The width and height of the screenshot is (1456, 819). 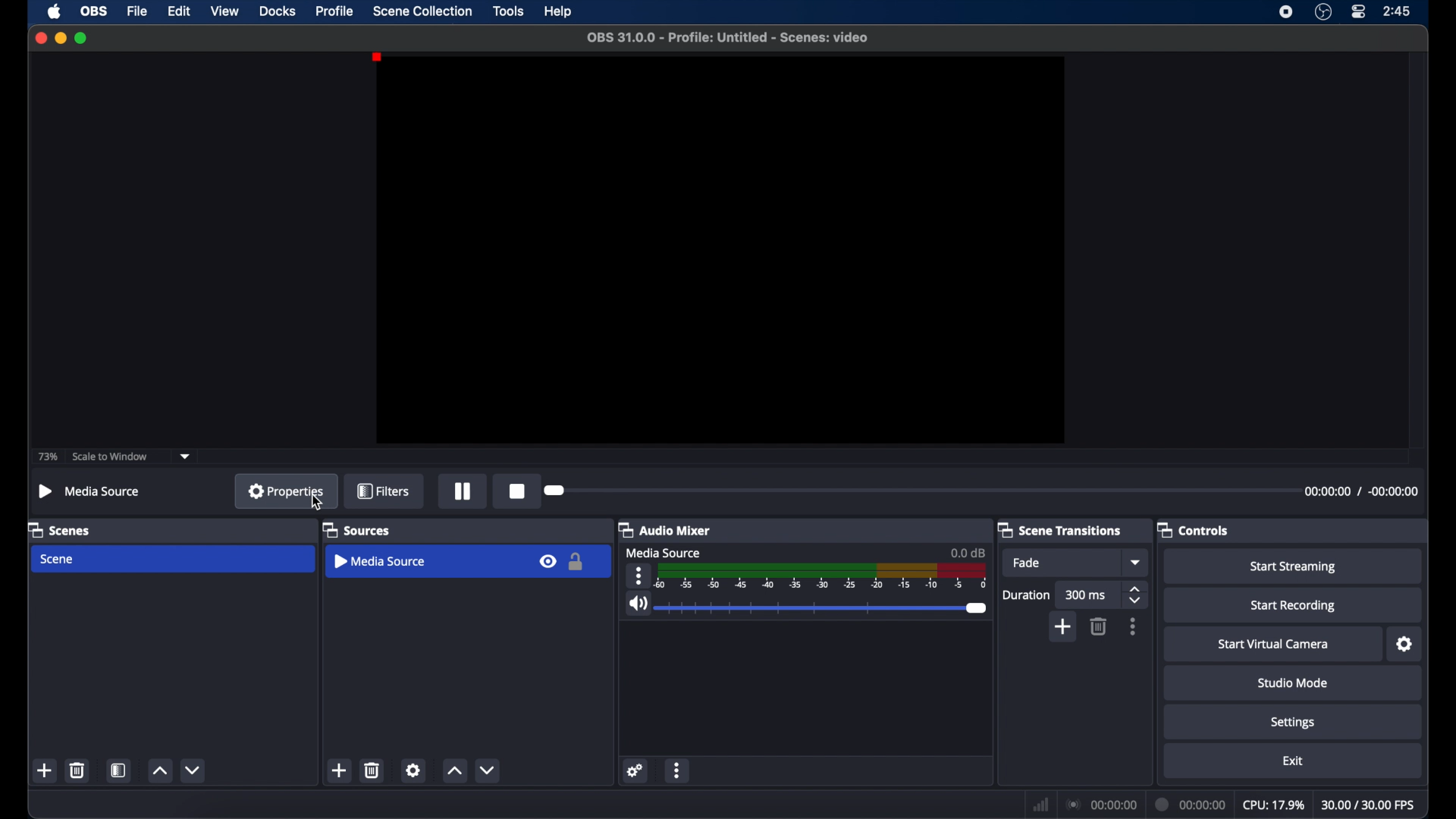 I want to click on moreoptions, so click(x=677, y=771).